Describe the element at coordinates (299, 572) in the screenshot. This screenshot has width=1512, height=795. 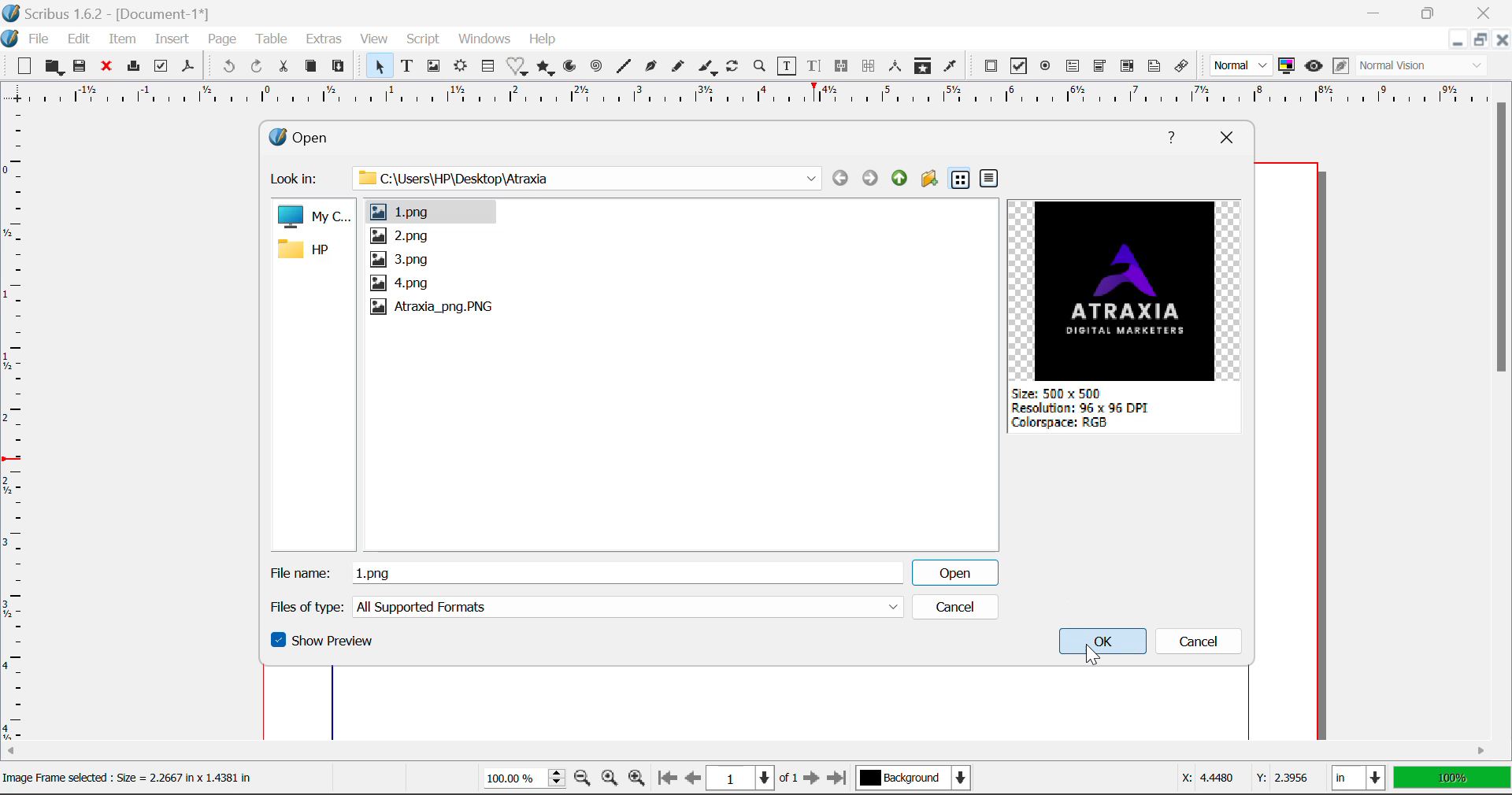
I see `File name:` at that location.